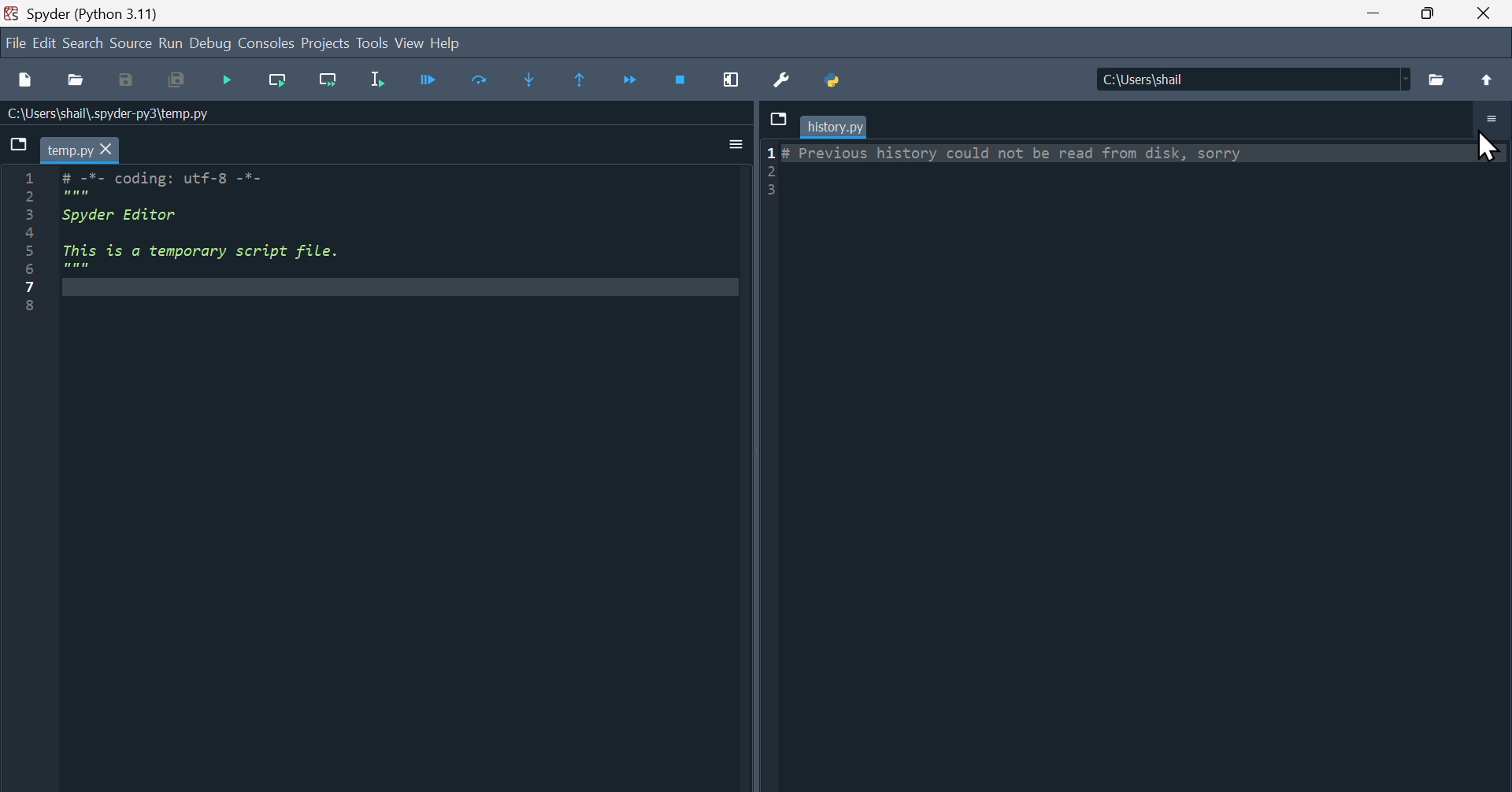  What do you see at coordinates (19, 146) in the screenshot?
I see `Browse tabs` at bounding box center [19, 146].